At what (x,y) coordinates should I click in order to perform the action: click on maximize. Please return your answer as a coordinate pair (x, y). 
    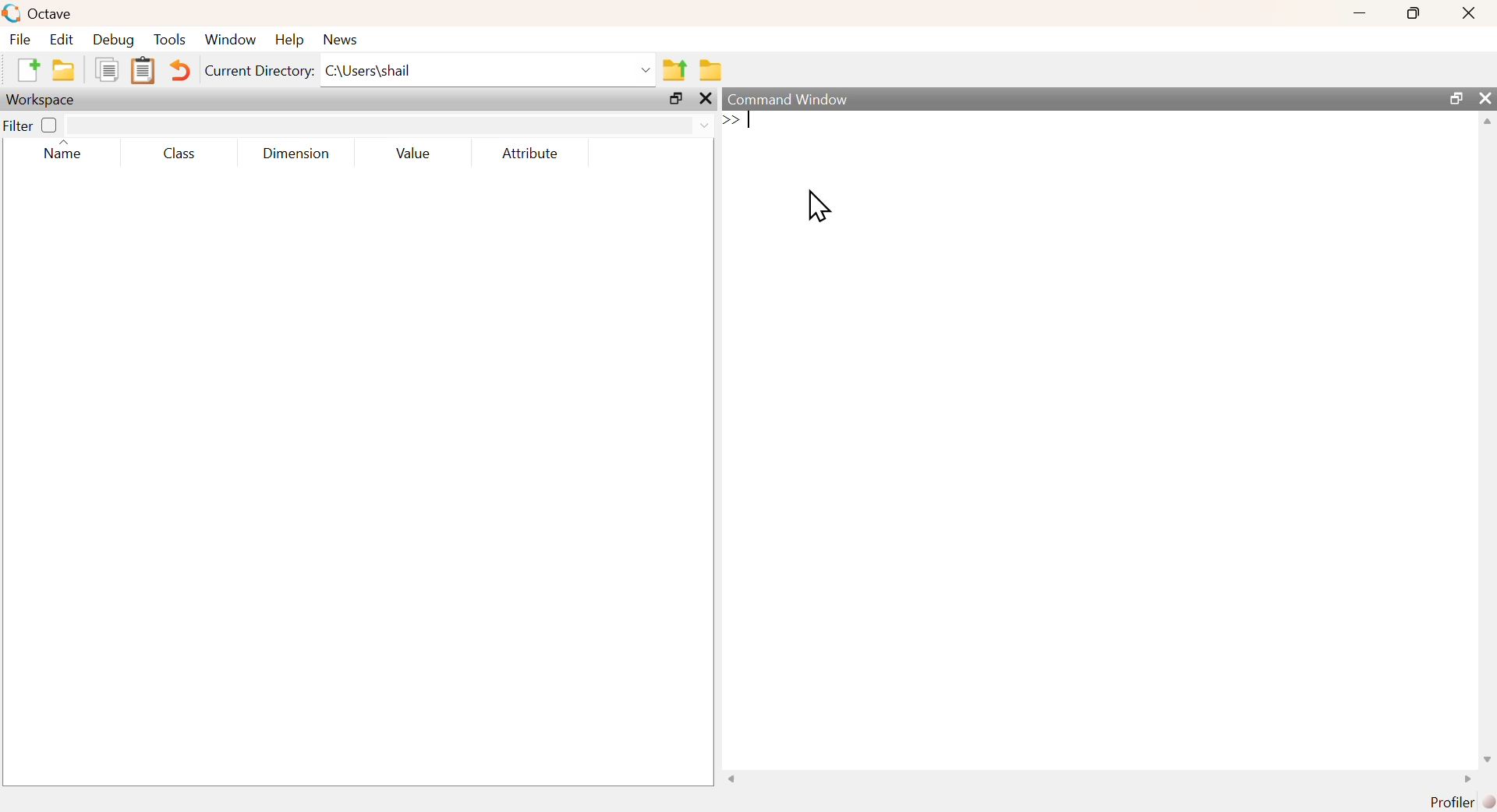
    Looking at the image, I should click on (677, 97).